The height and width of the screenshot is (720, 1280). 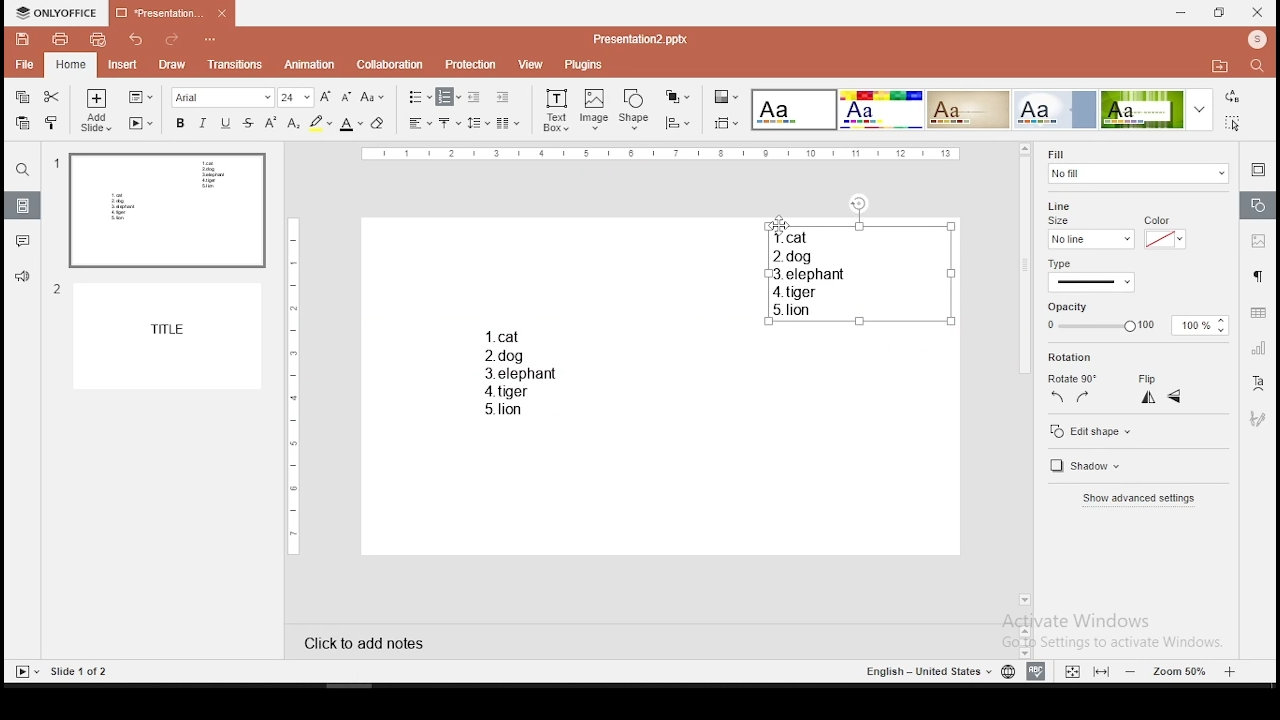 What do you see at coordinates (727, 122) in the screenshot?
I see `select slide size` at bounding box center [727, 122].